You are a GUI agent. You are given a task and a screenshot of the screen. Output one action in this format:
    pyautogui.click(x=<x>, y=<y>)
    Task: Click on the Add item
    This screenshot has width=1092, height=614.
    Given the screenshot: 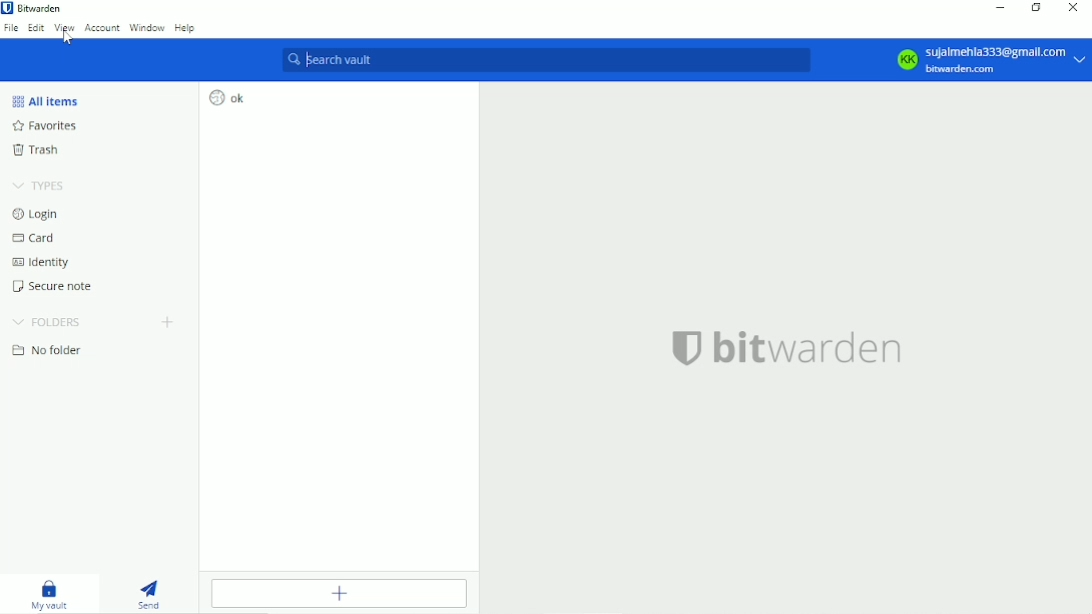 What is the action you would take?
    pyautogui.click(x=341, y=593)
    